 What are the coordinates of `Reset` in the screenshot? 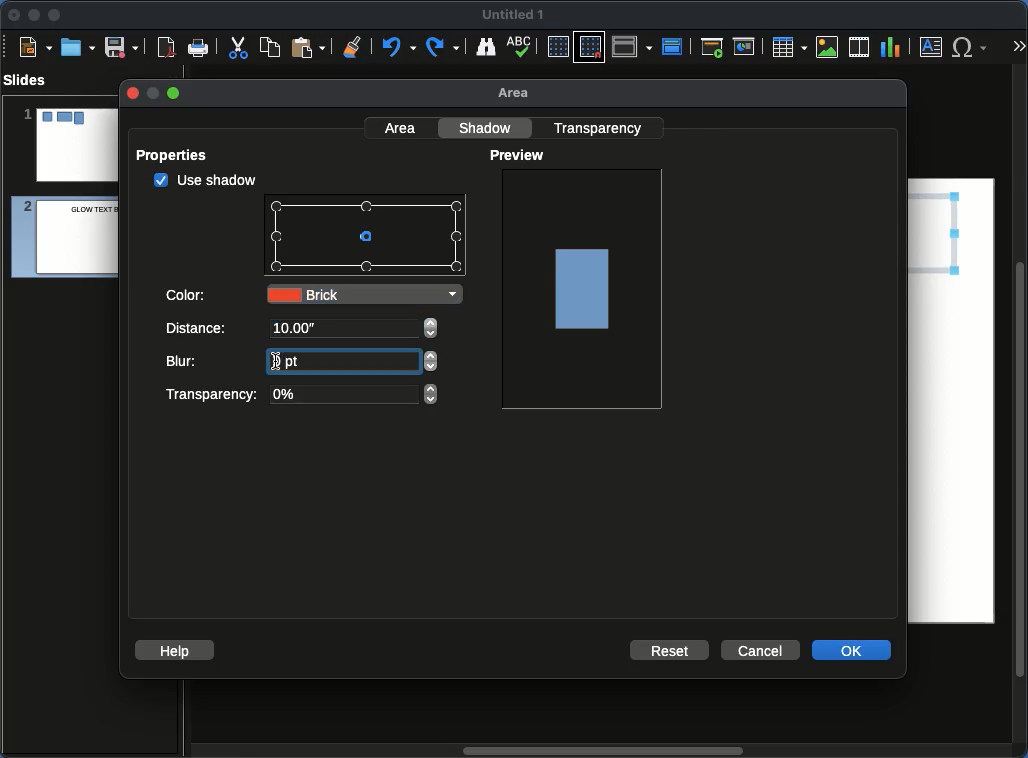 It's located at (671, 649).